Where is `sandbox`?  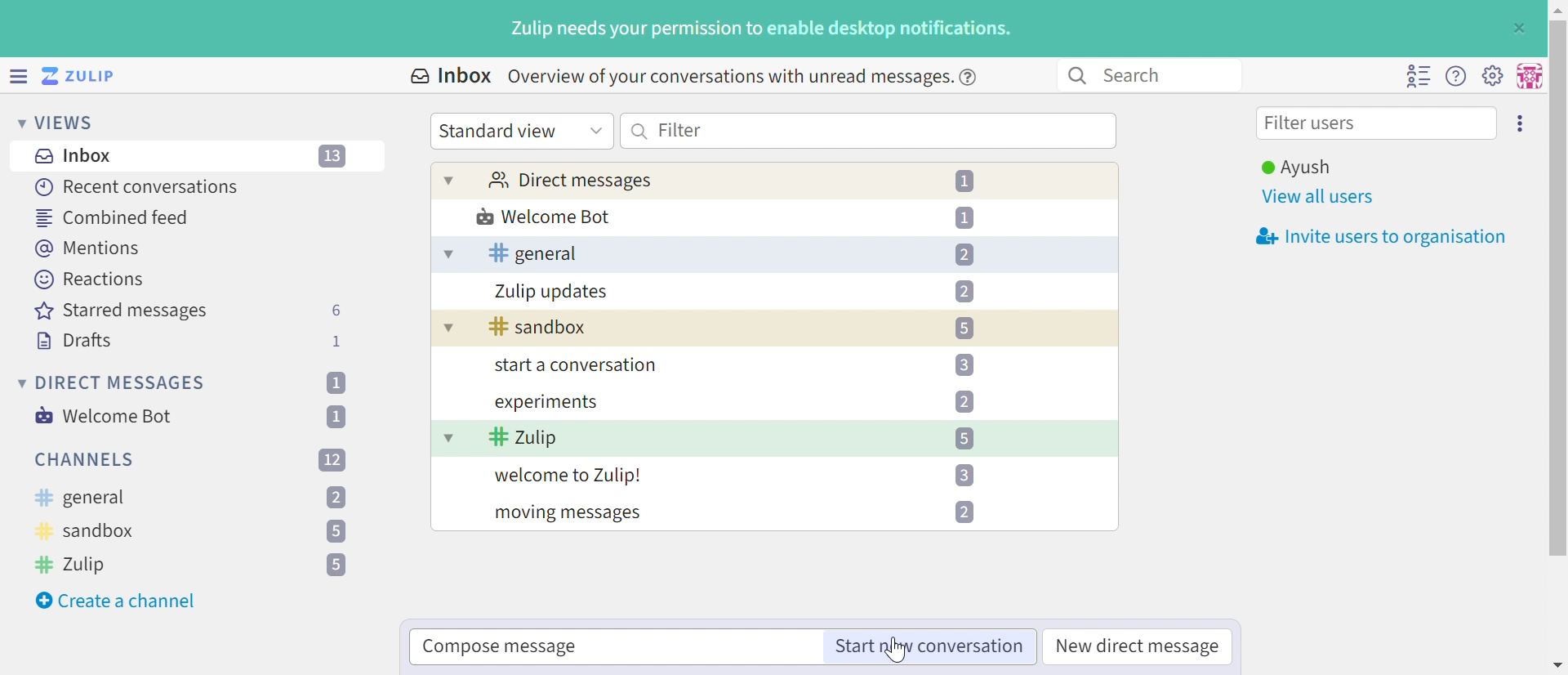
sandbox is located at coordinates (87, 534).